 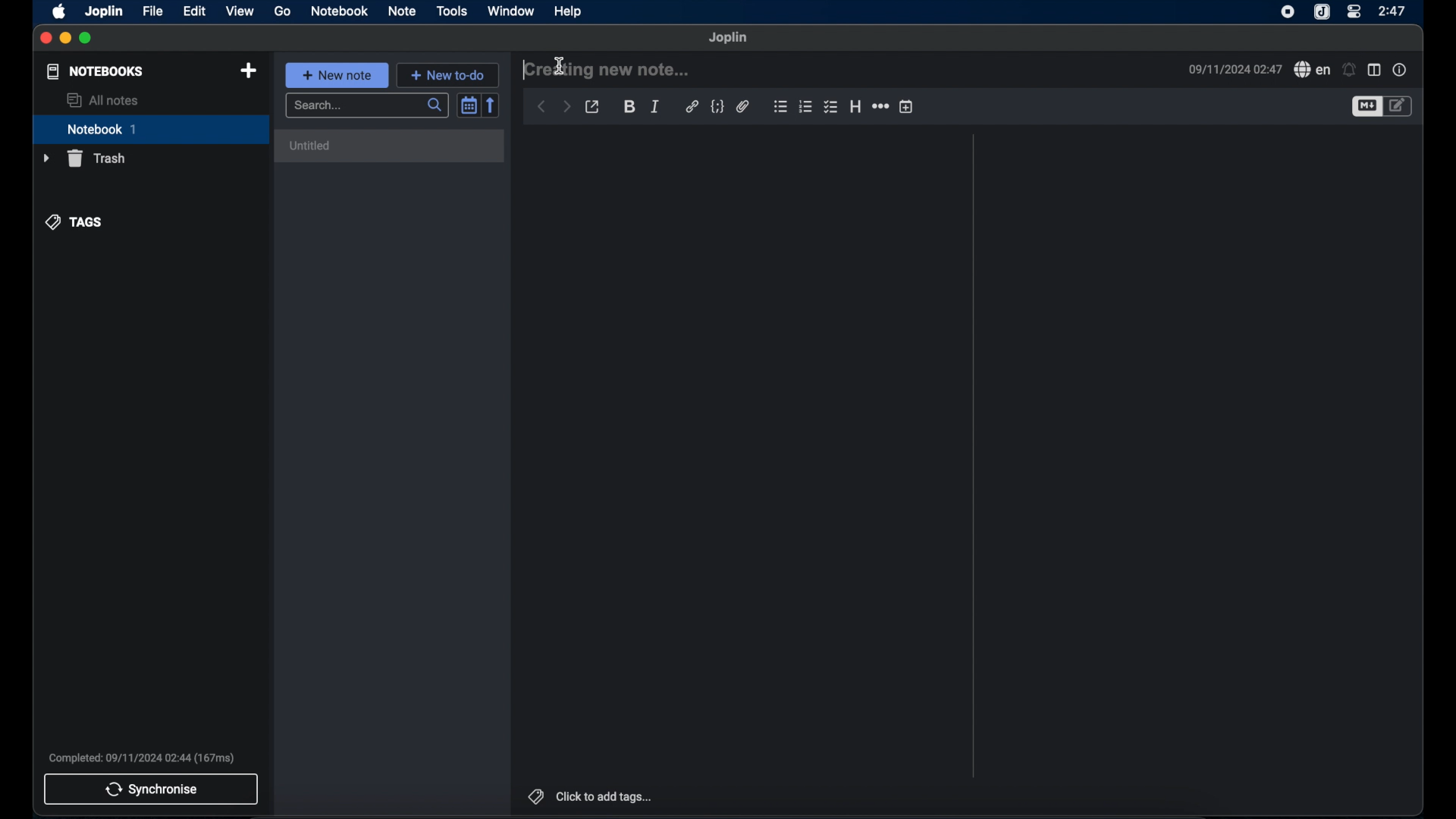 What do you see at coordinates (1393, 11) in the screenshot?
I see `2:47` at bounding box center [1393, 11].